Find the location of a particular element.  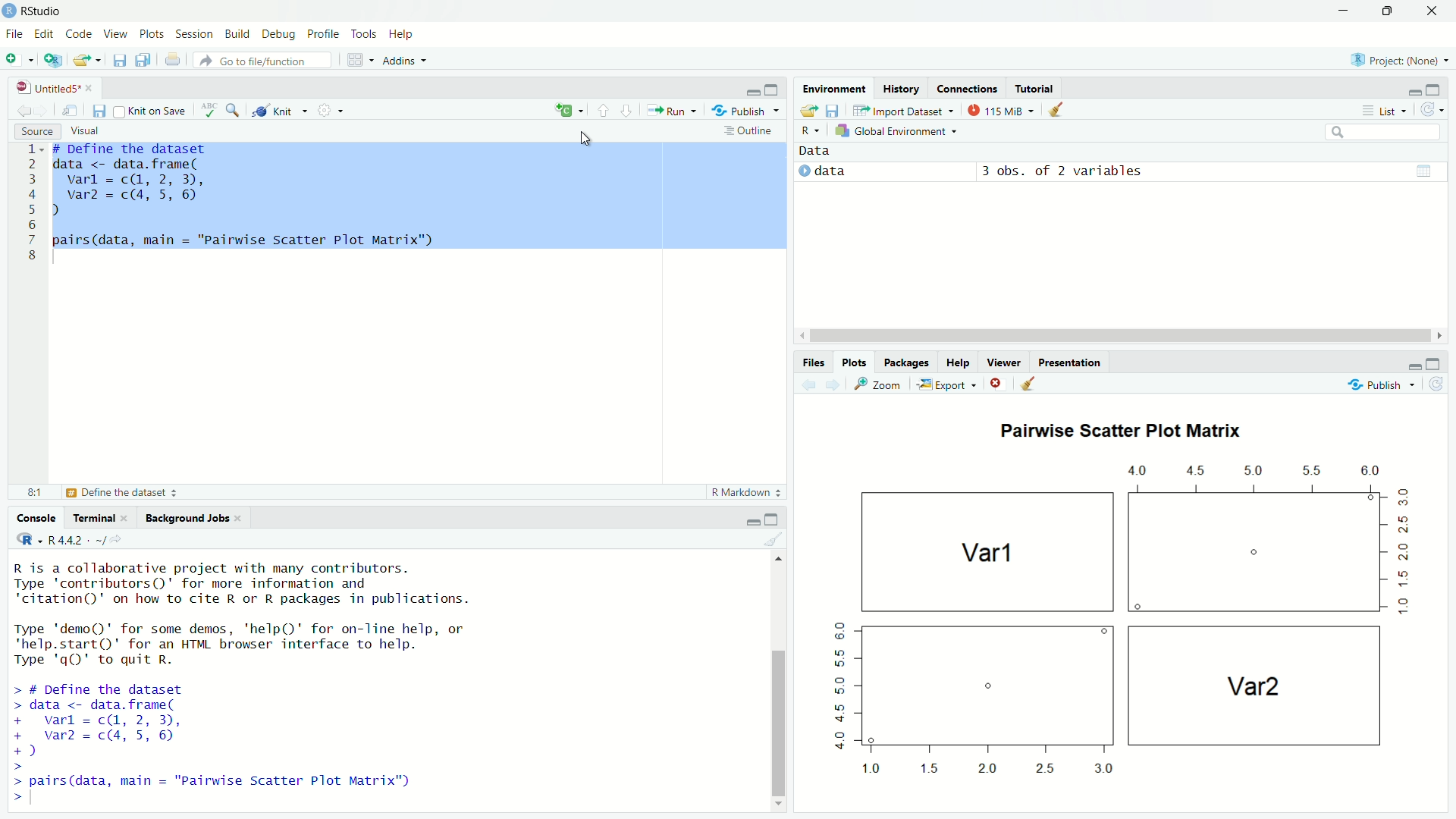

Scrollbar is located at coordinates (1121, 336).